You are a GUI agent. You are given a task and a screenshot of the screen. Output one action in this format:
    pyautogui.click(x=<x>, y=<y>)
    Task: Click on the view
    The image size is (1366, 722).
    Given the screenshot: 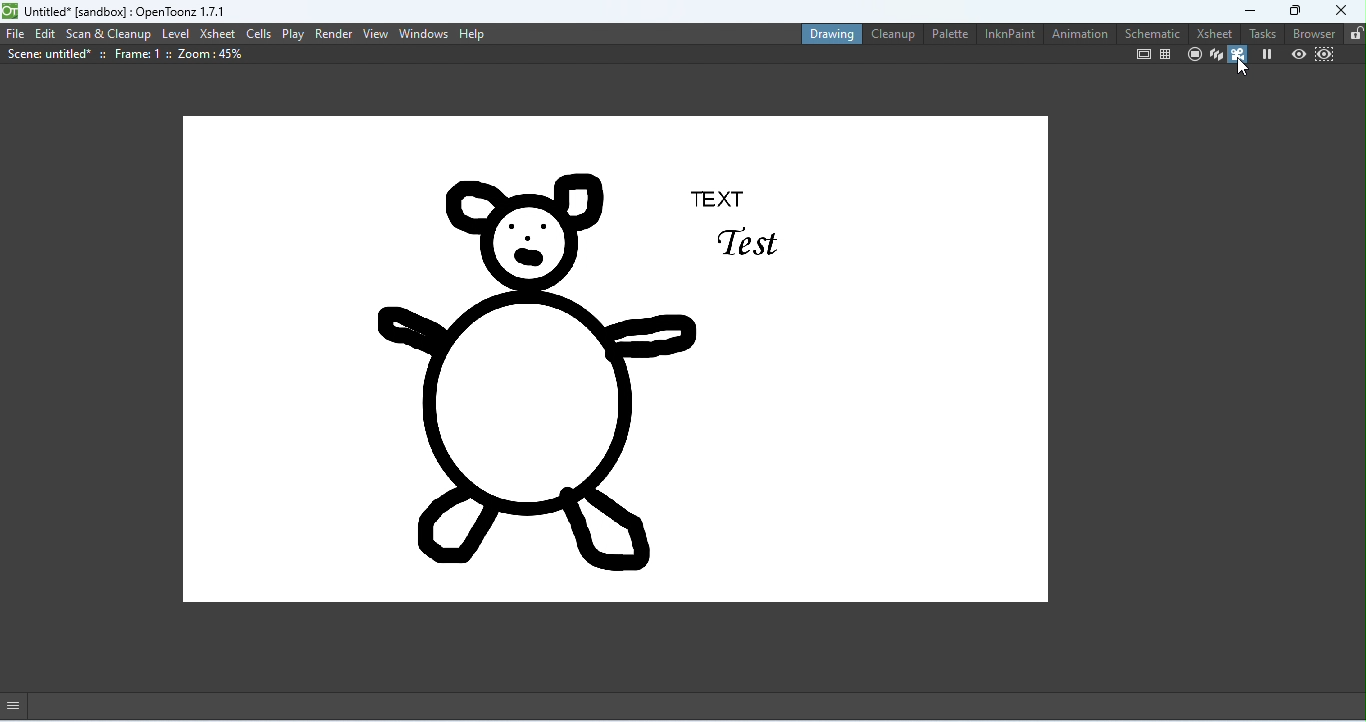 What is the action you would take?
    pyautogui.click(x=376, y=33)
    